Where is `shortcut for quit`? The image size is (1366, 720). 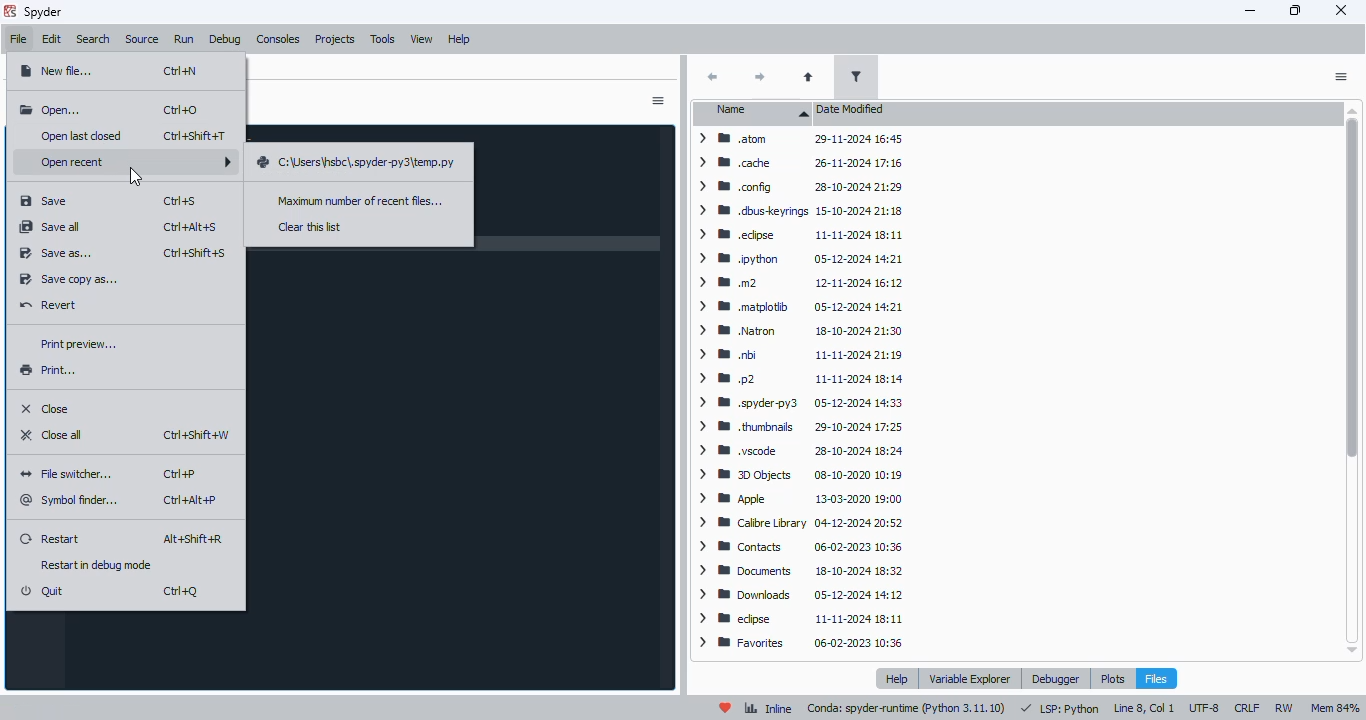 shortcut for quit is located at coordinates (180, 591).